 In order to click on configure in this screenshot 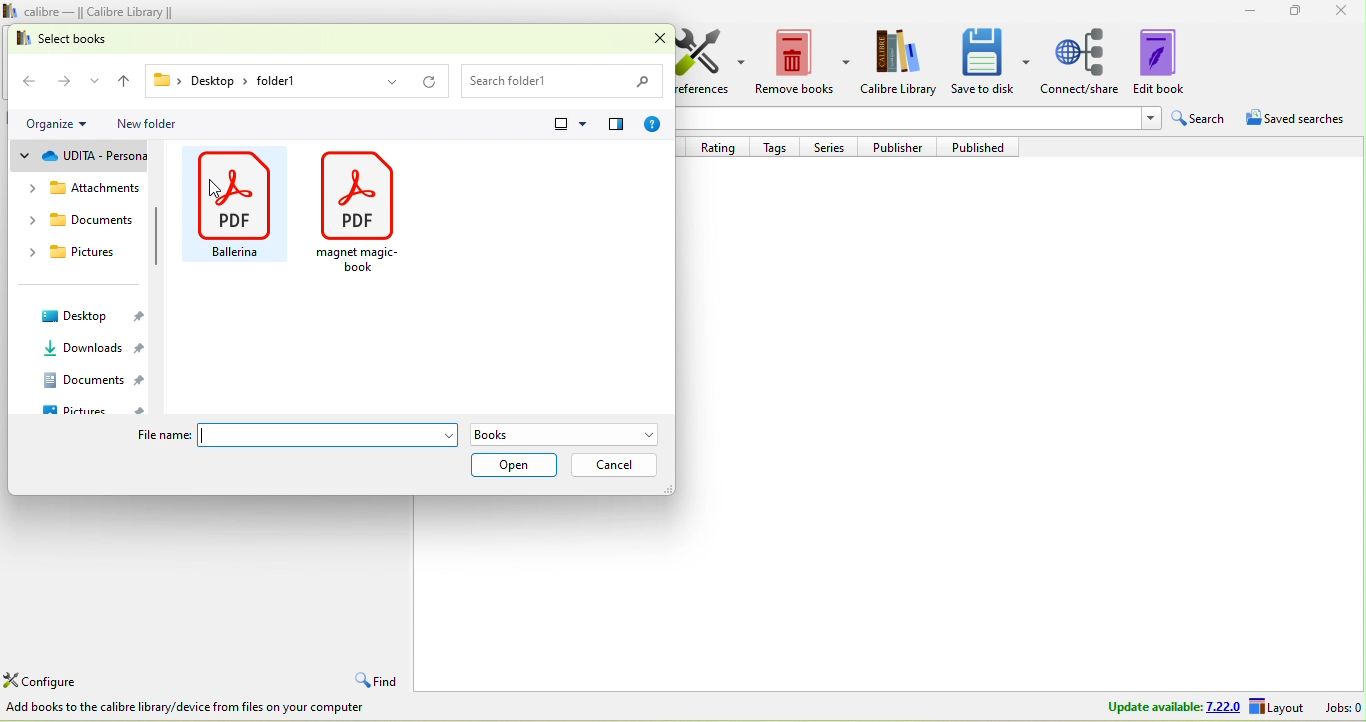, I will do `click(47, 681)`.